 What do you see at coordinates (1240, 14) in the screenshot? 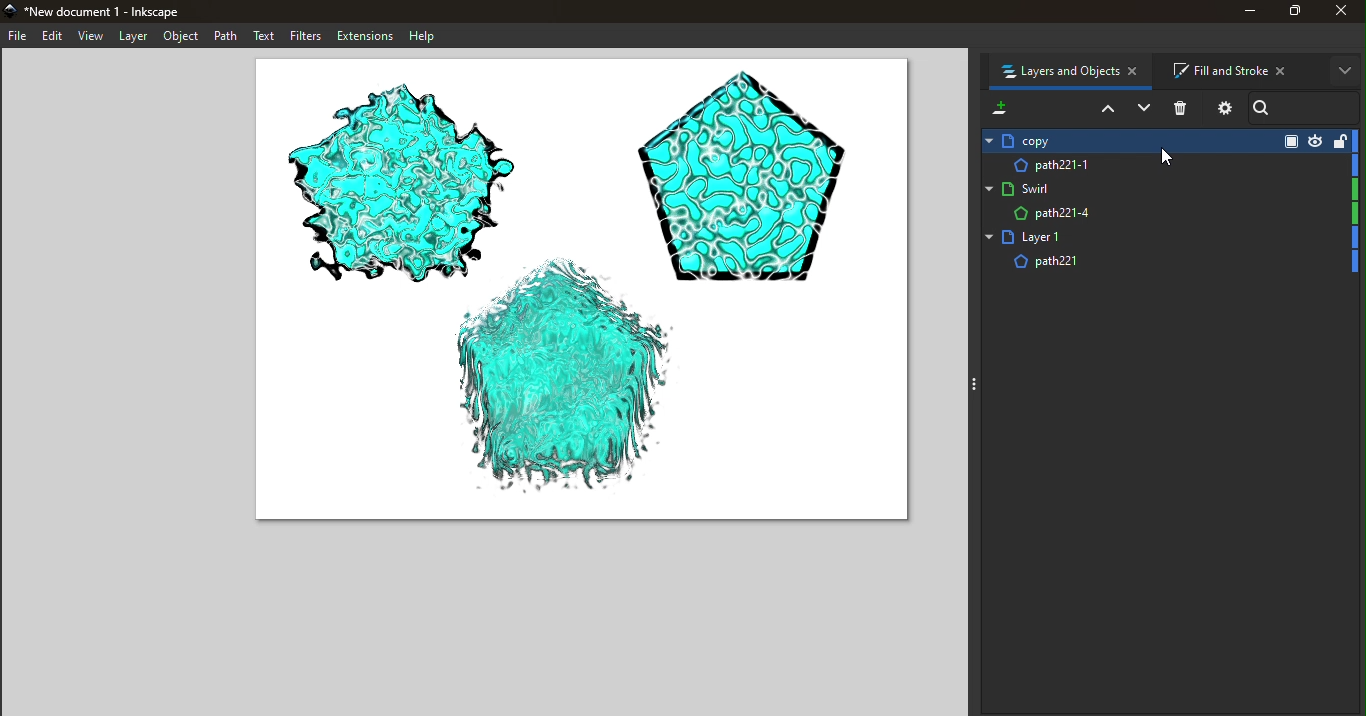
I see `Minimize` at bounding box center [1240, 14].